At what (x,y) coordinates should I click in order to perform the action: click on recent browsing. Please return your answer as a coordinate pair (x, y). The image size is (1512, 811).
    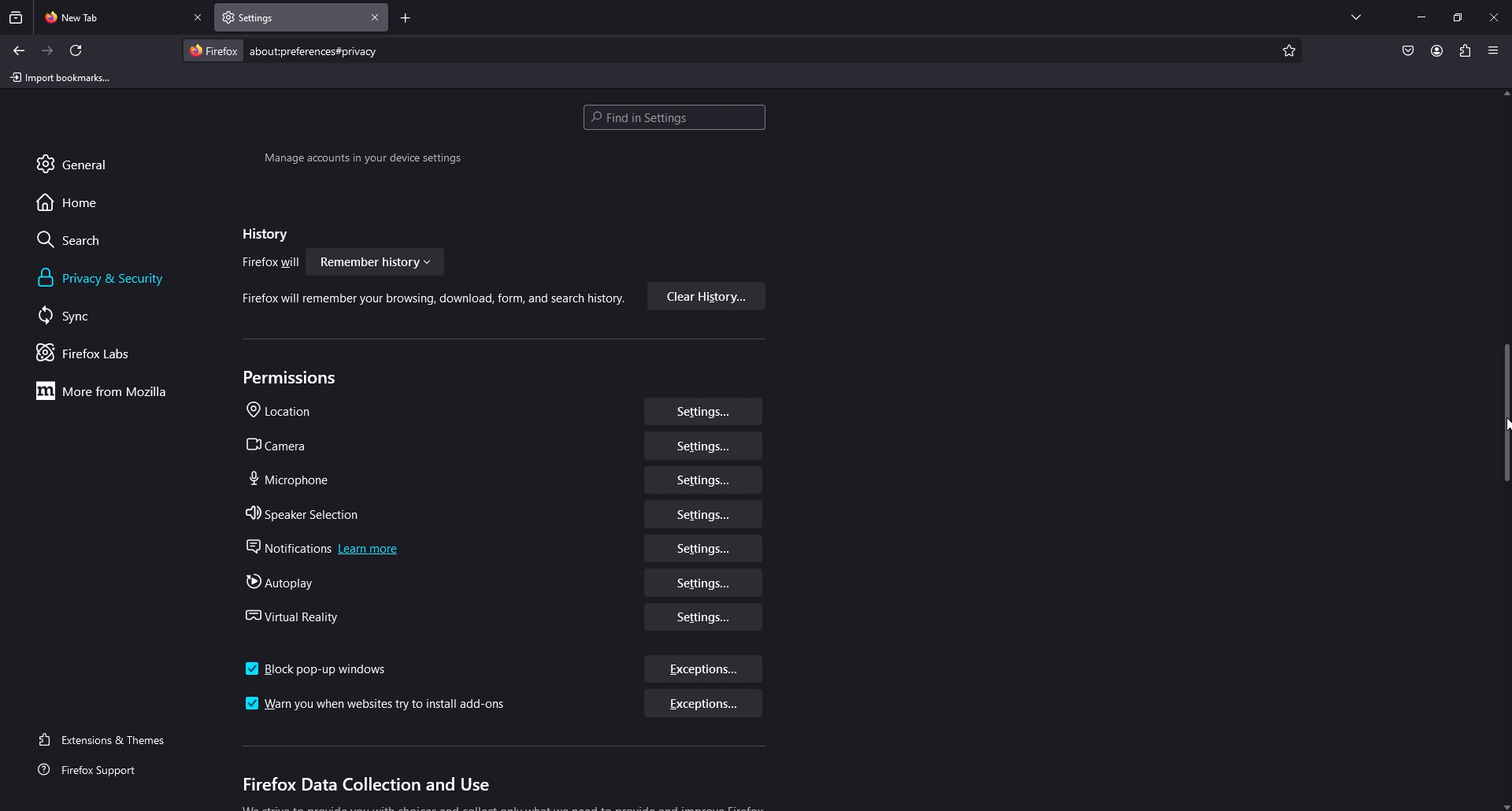
    Looking at the image, I should click on (17, 17).